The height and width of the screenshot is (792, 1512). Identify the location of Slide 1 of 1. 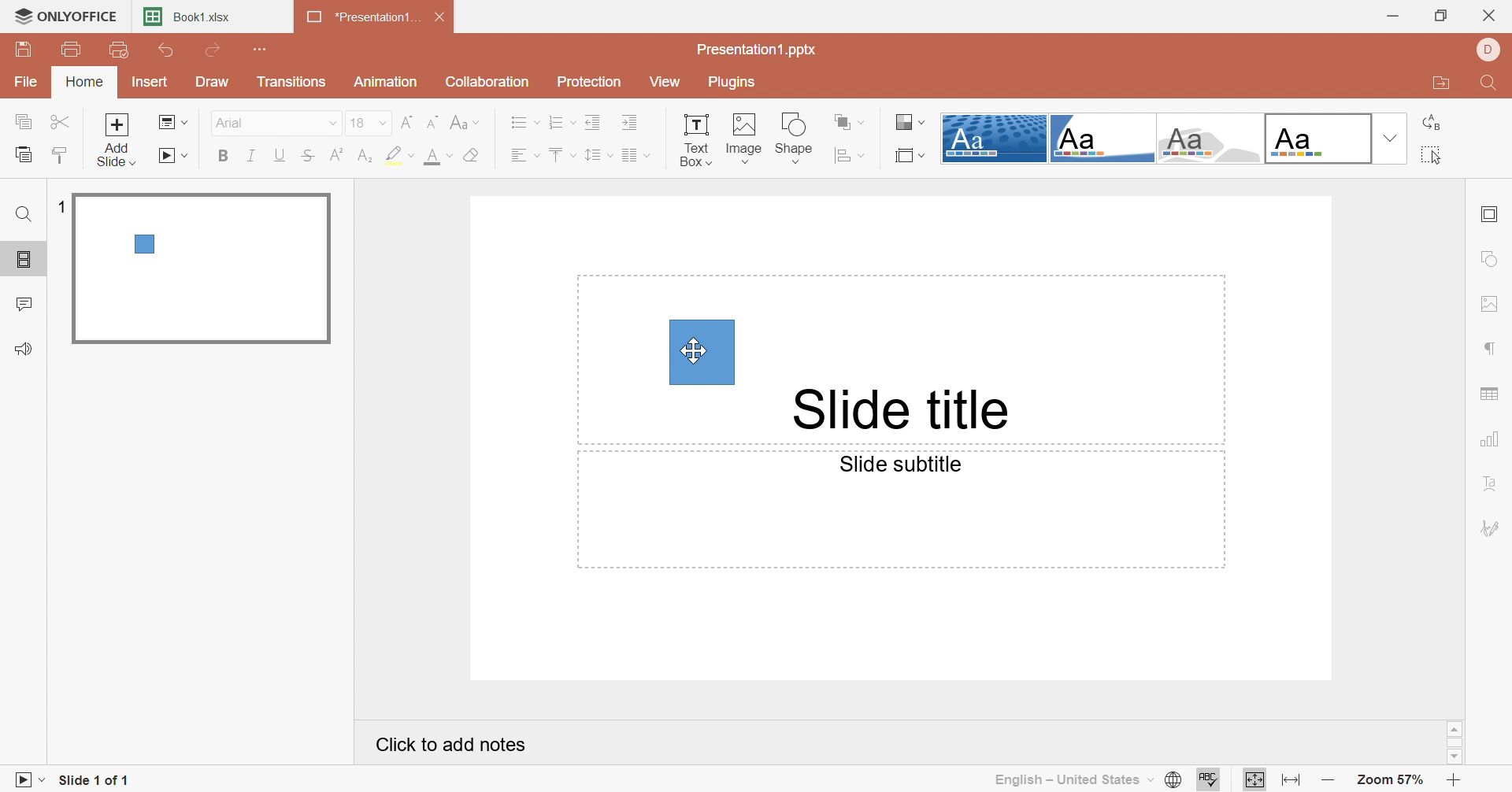
(100, 779).